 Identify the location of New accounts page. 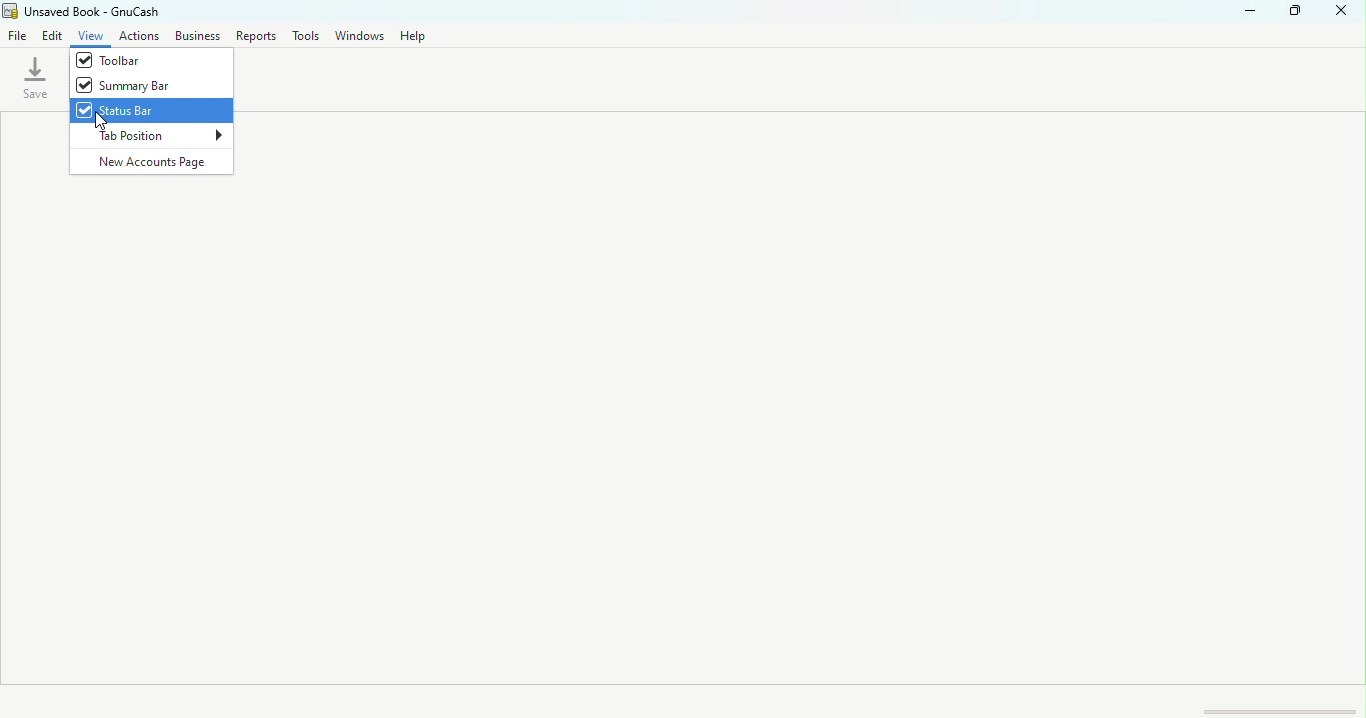
(154, 160).